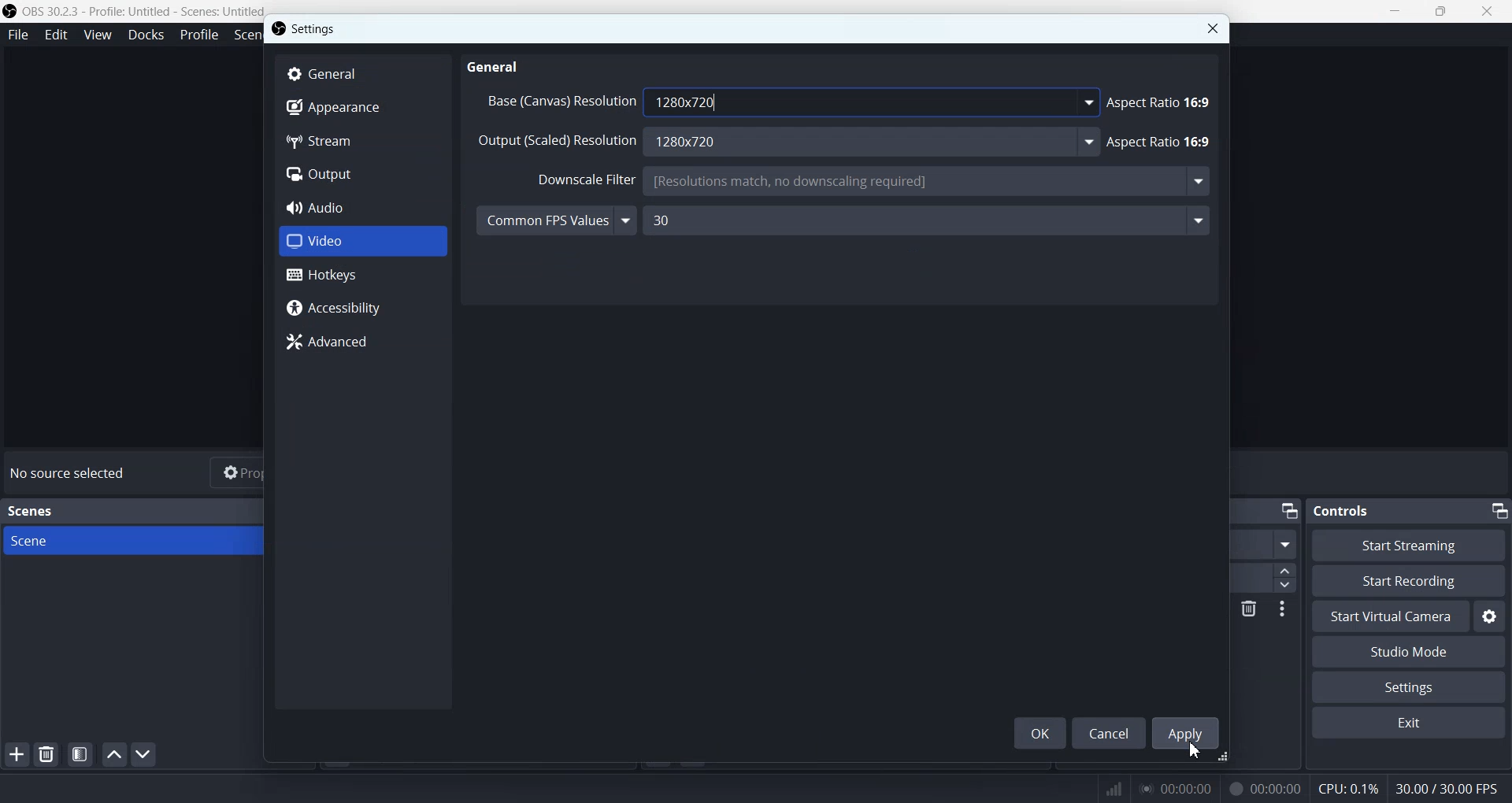  What do you see at coordinates (132, 539) in the screenshot?
I see `Scene ` at bounding box center [132, 539].